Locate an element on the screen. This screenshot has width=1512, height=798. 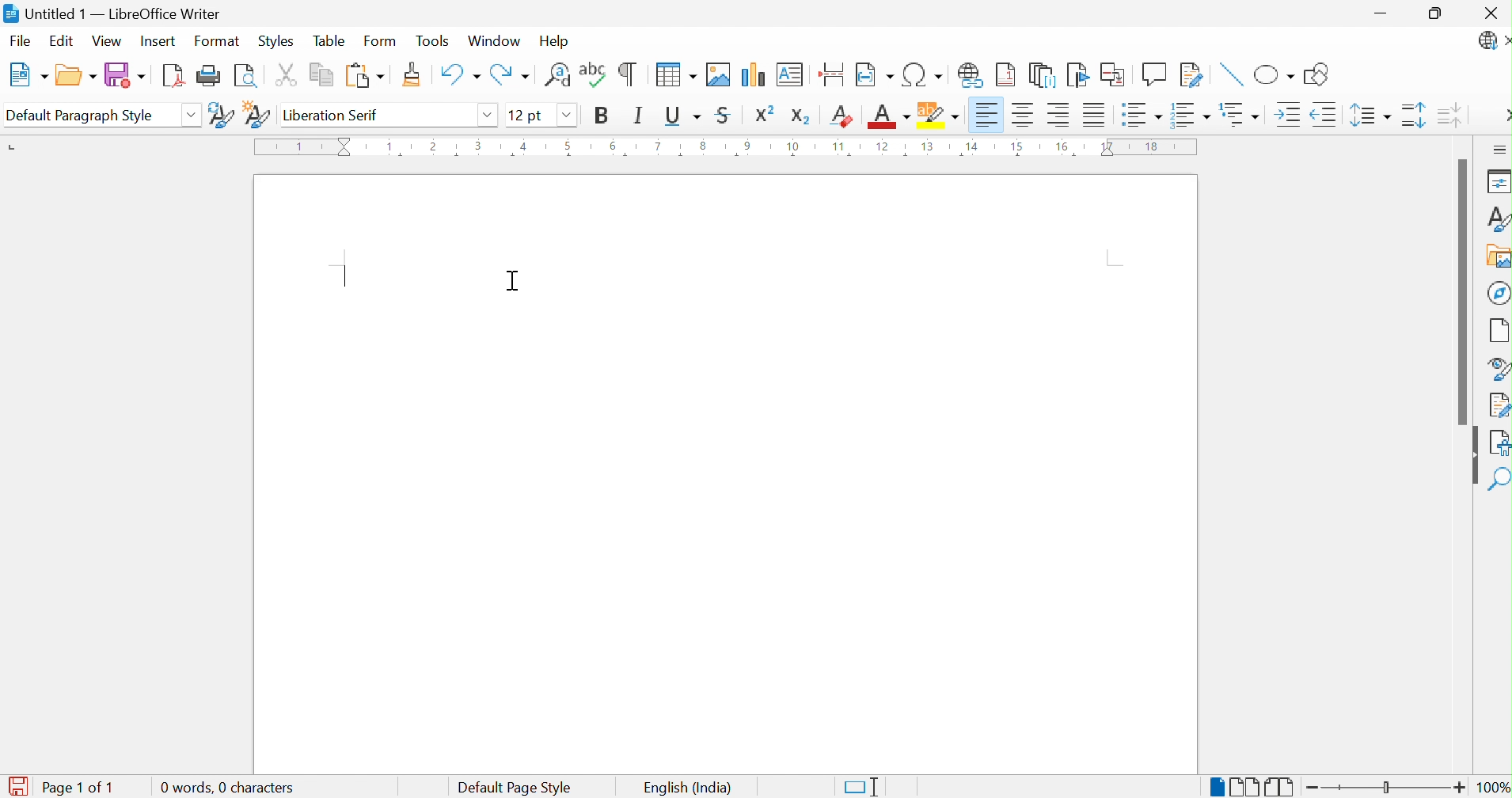
Book View is located at coordinates (1281, 785).